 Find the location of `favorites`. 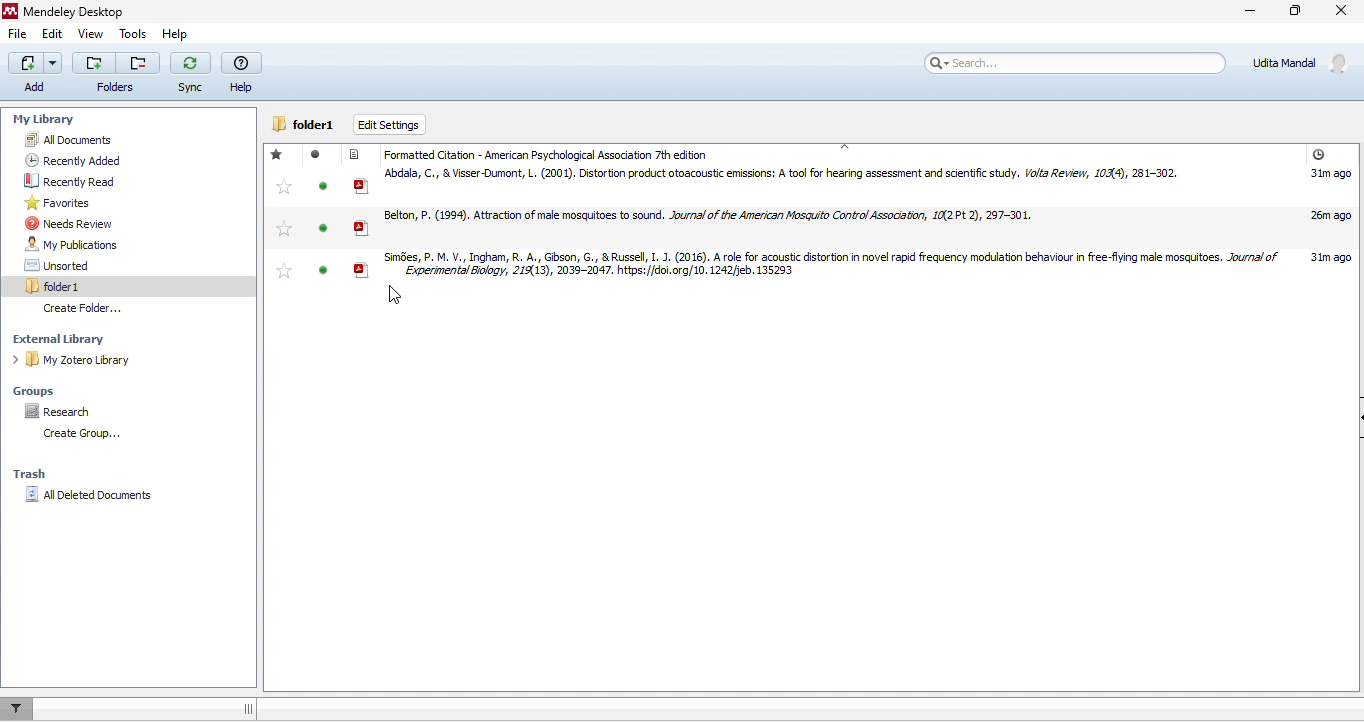

favorites is located at coordinates (57, 203).